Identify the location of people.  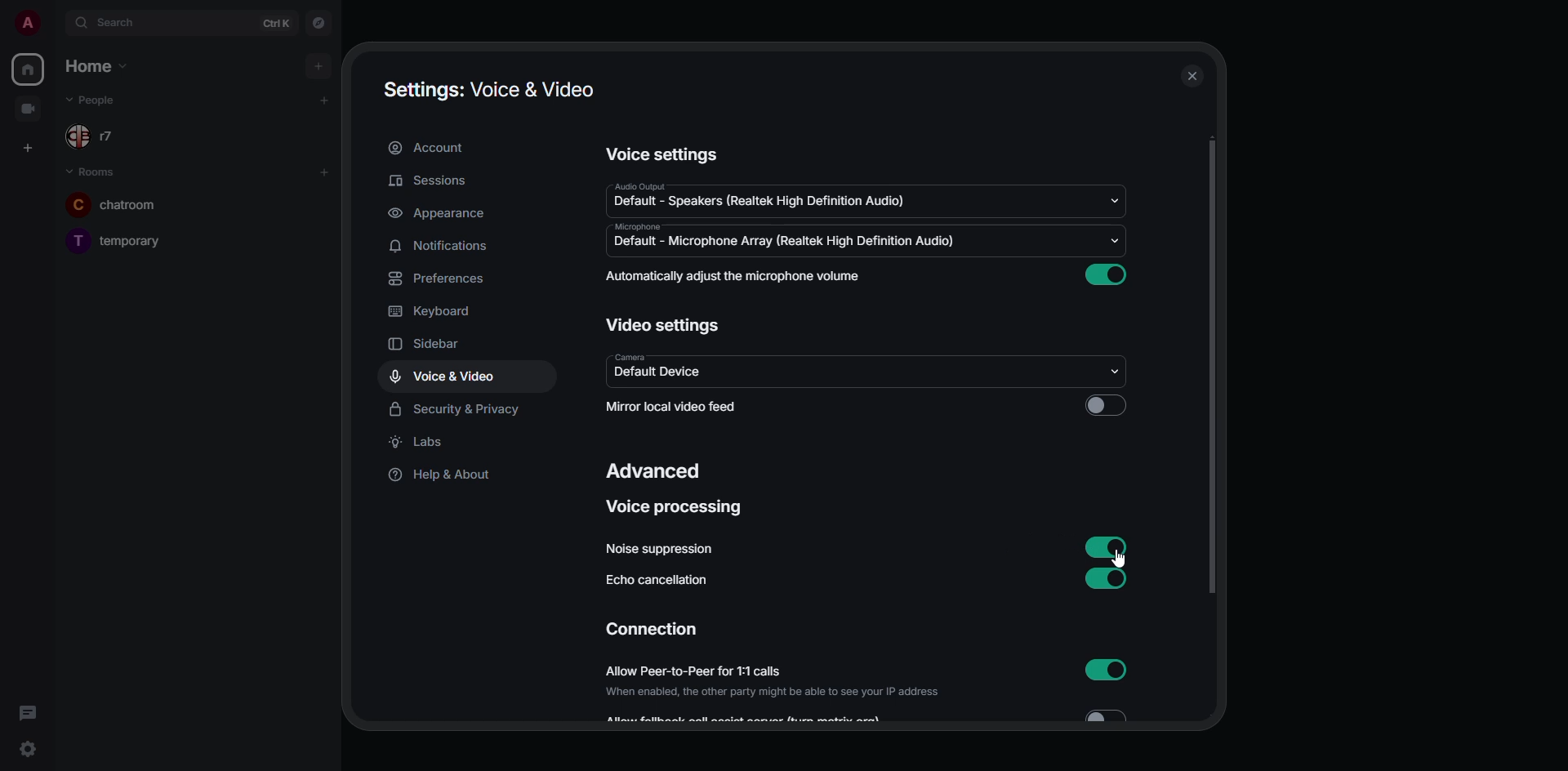
(105, 100).